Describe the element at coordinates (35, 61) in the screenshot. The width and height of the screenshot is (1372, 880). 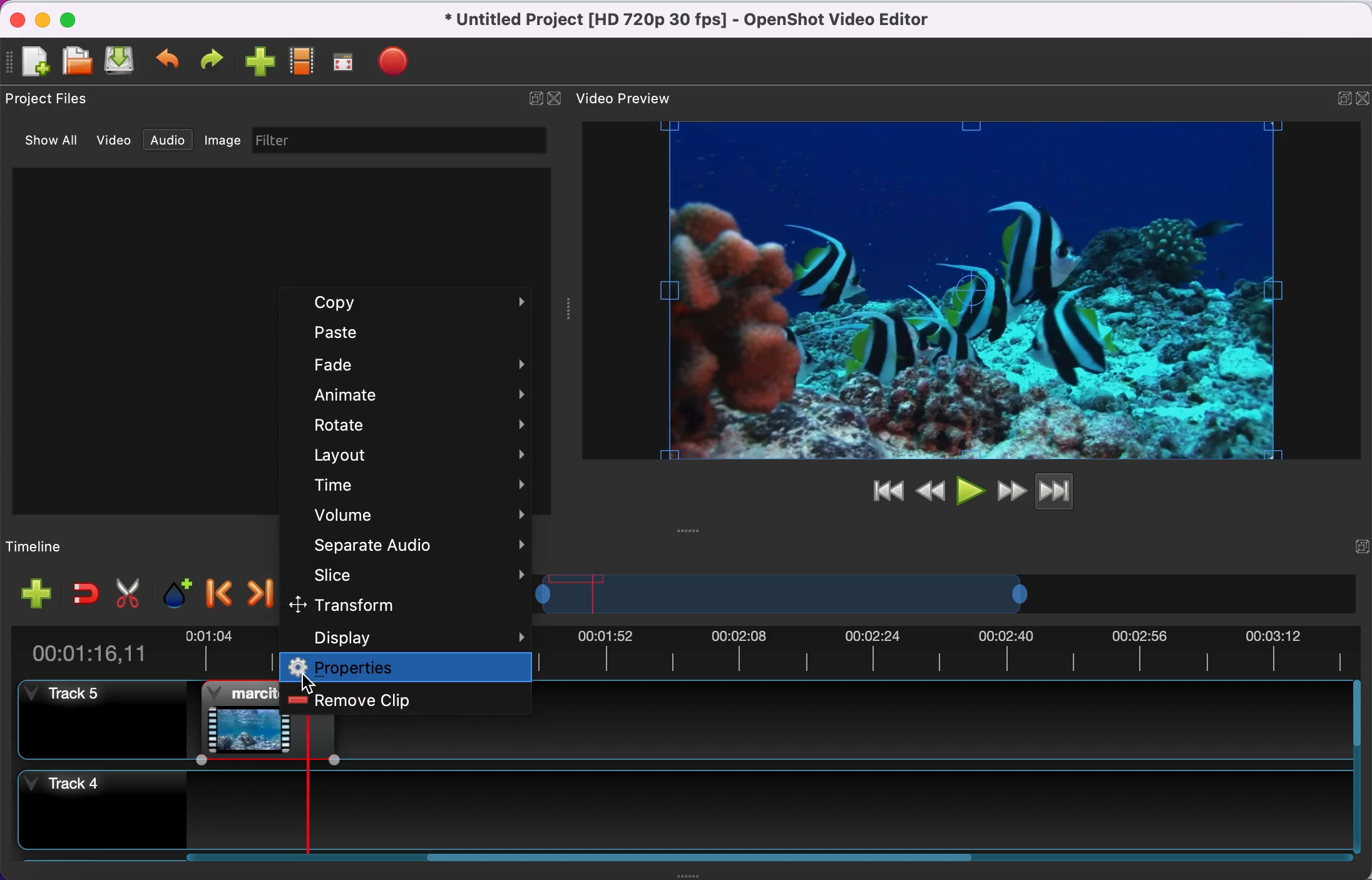
I see `new file` at that location.